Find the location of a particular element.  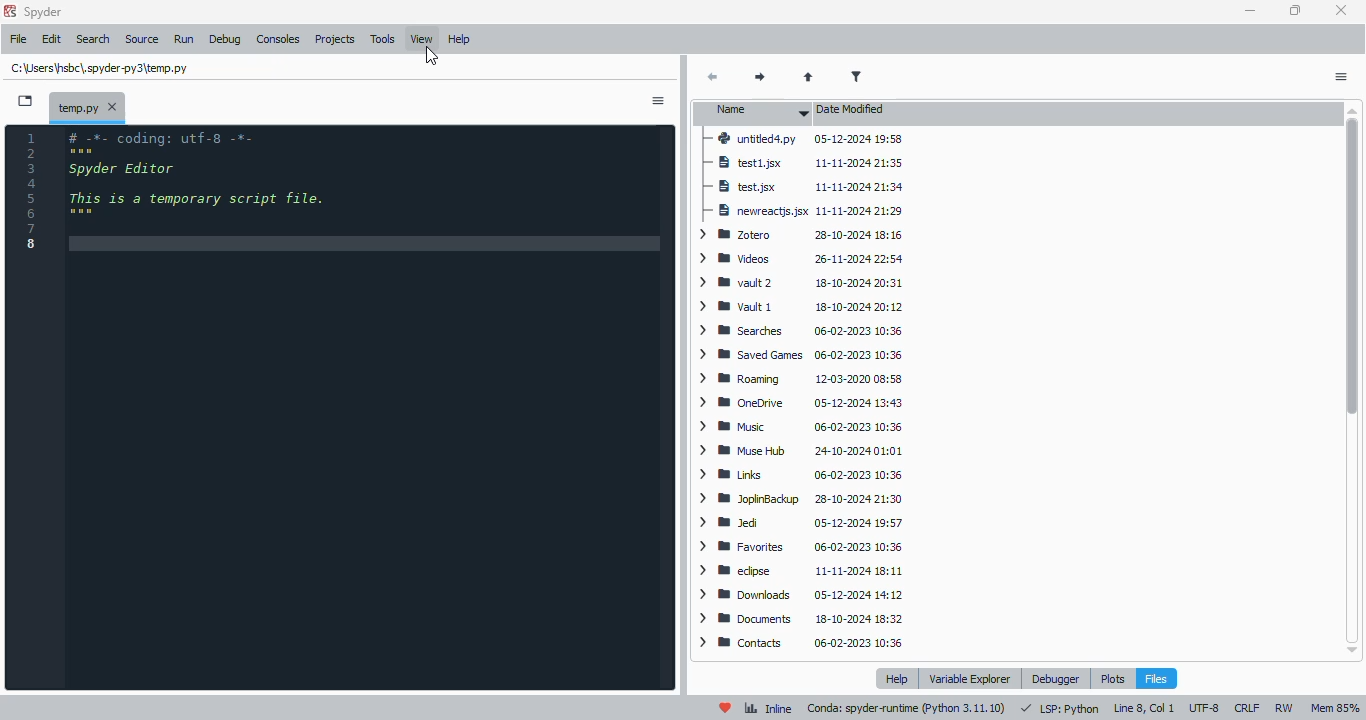

help is located at coordinates (461, 39).